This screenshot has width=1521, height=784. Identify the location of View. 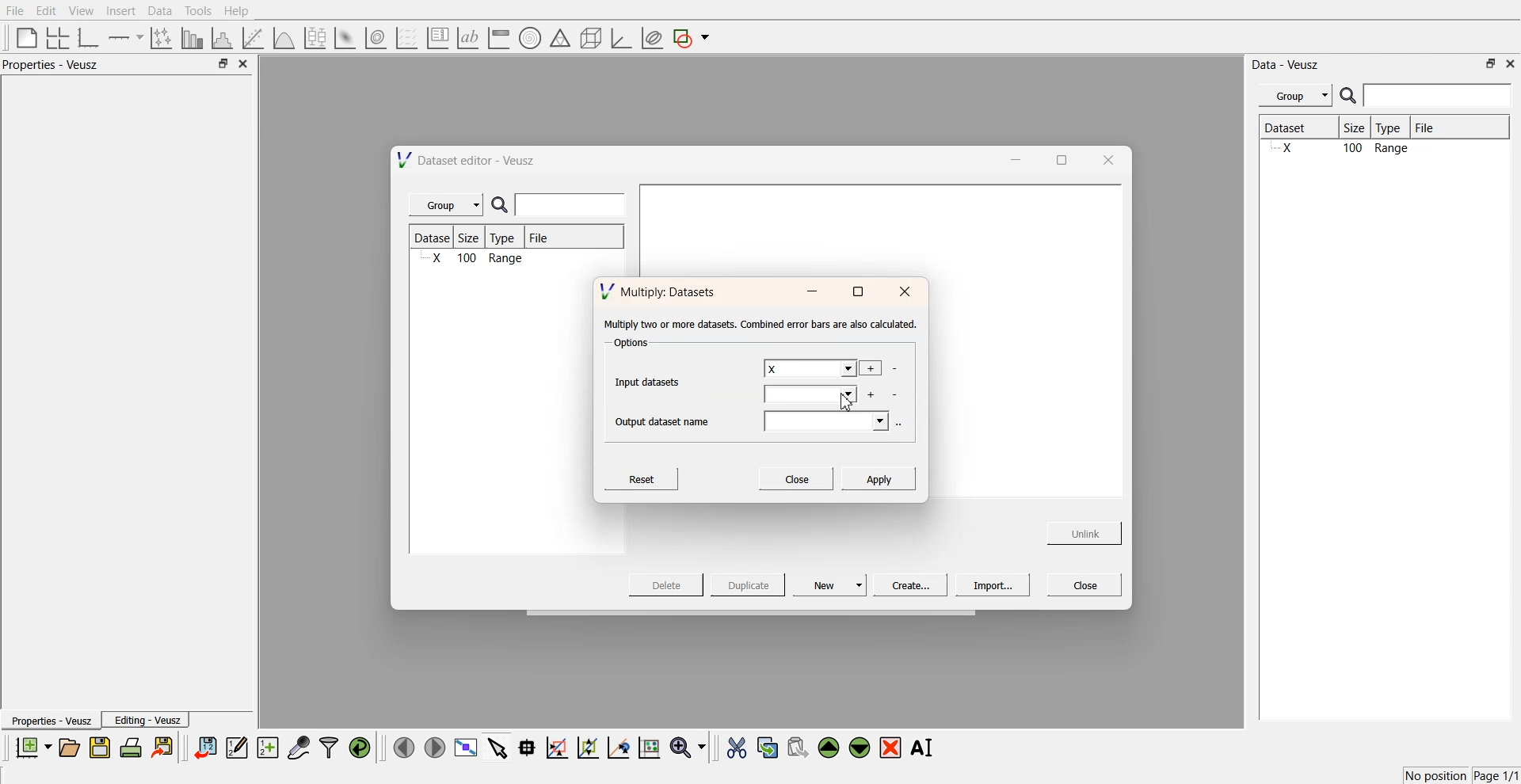
(80, 11).